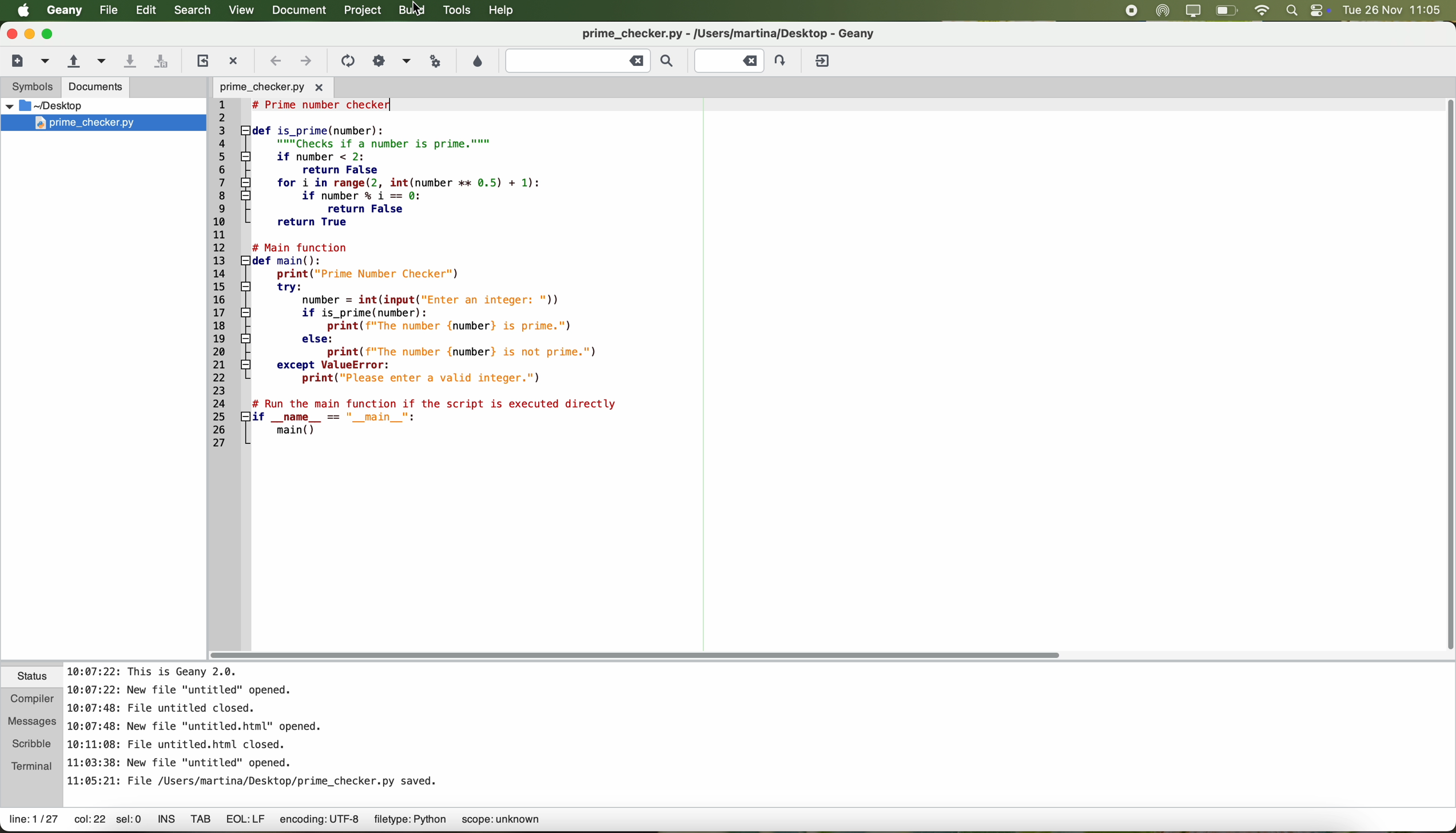 The height and width of the screenshot is (833, 1456). Describe the element at coordinates (1292, 11) in the screenshot. I see `spotlight search` at that location.